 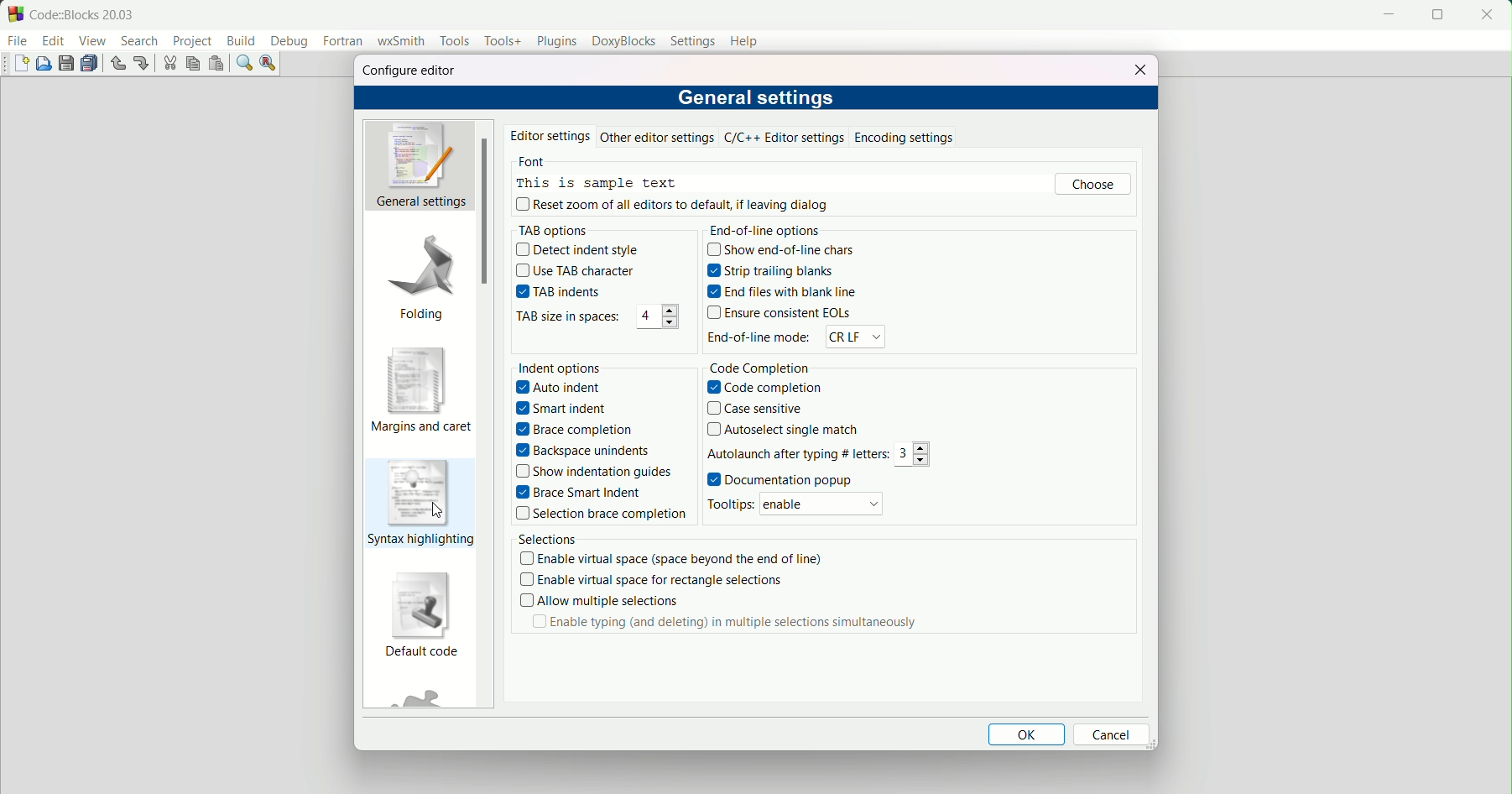 I want to click on redo, so click(x=141, y=62).